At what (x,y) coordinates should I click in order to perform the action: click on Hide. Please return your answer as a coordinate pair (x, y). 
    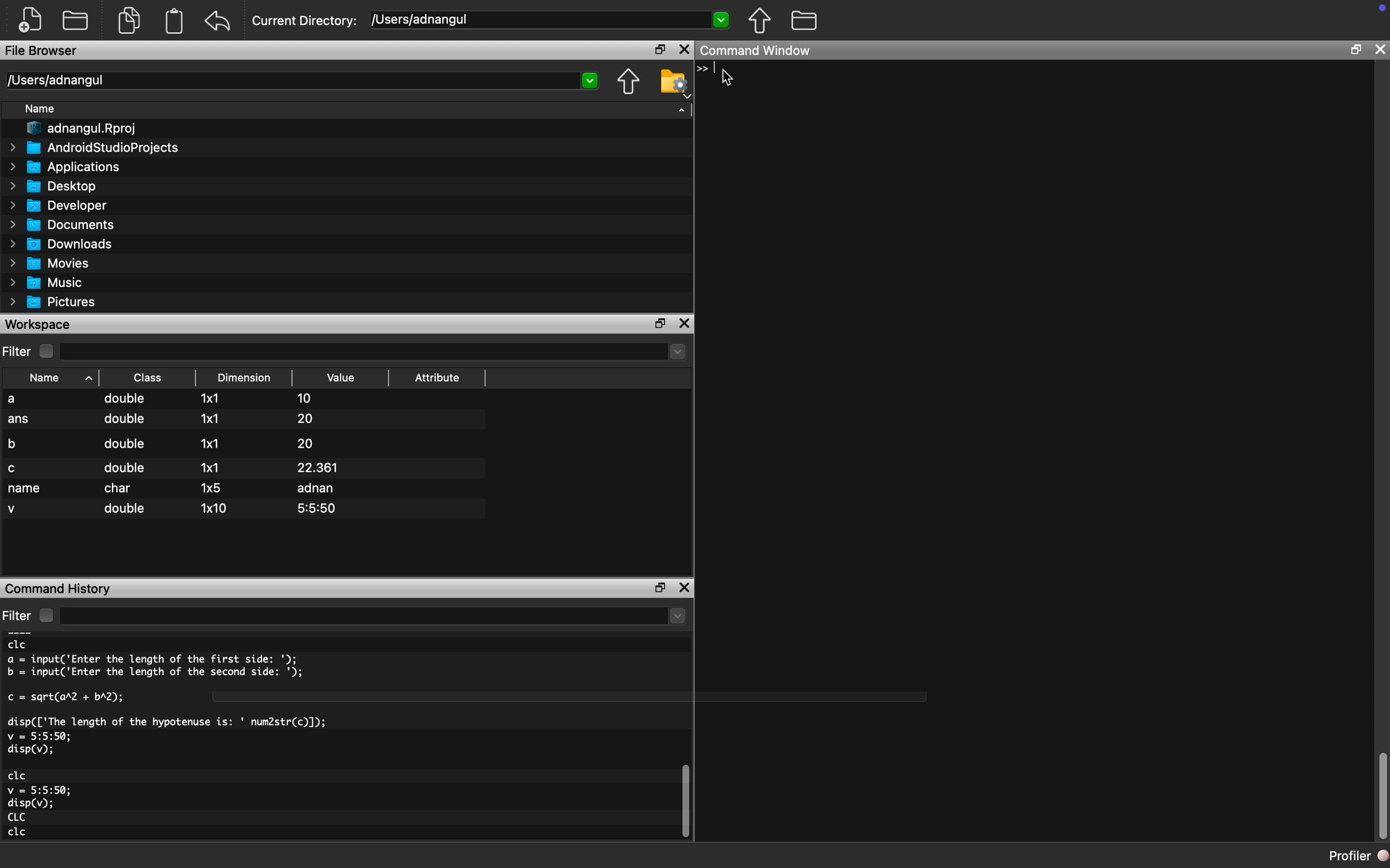
    Looking at the image, I should click on (682, 114).